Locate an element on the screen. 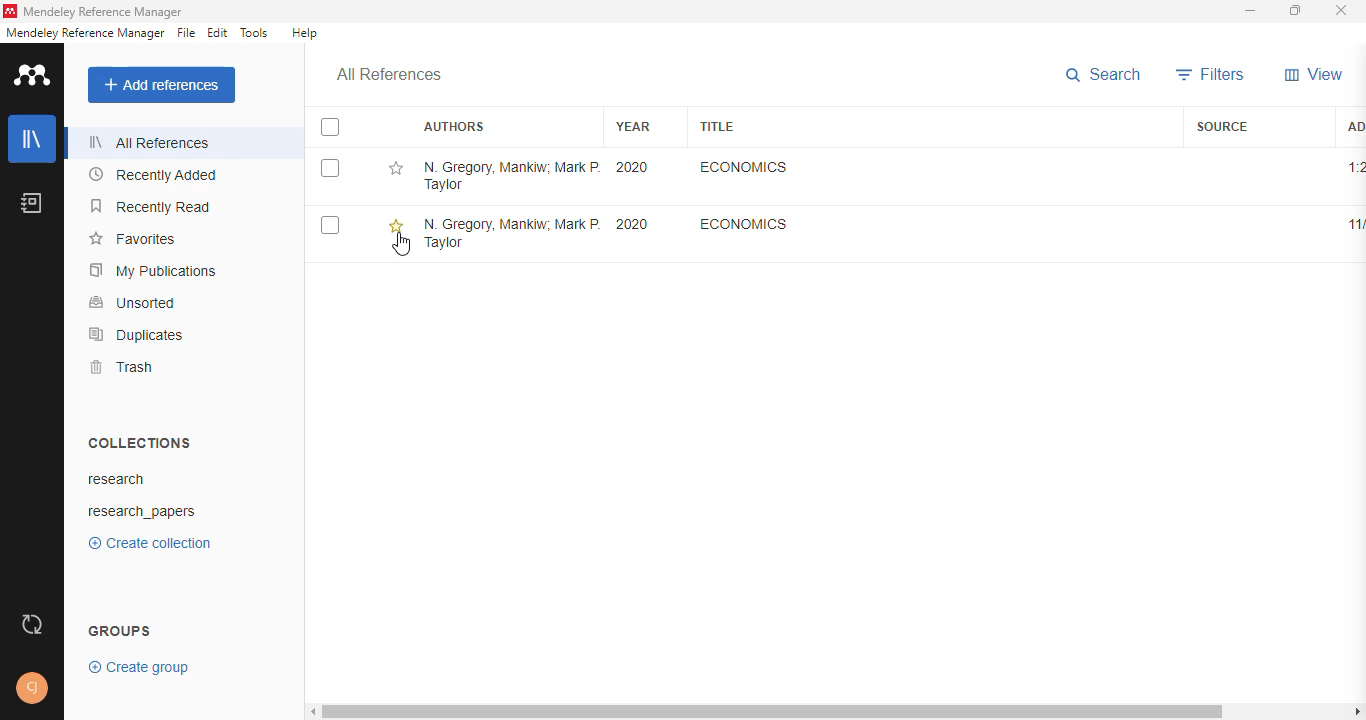  close is located at coordinates (1342, 11).